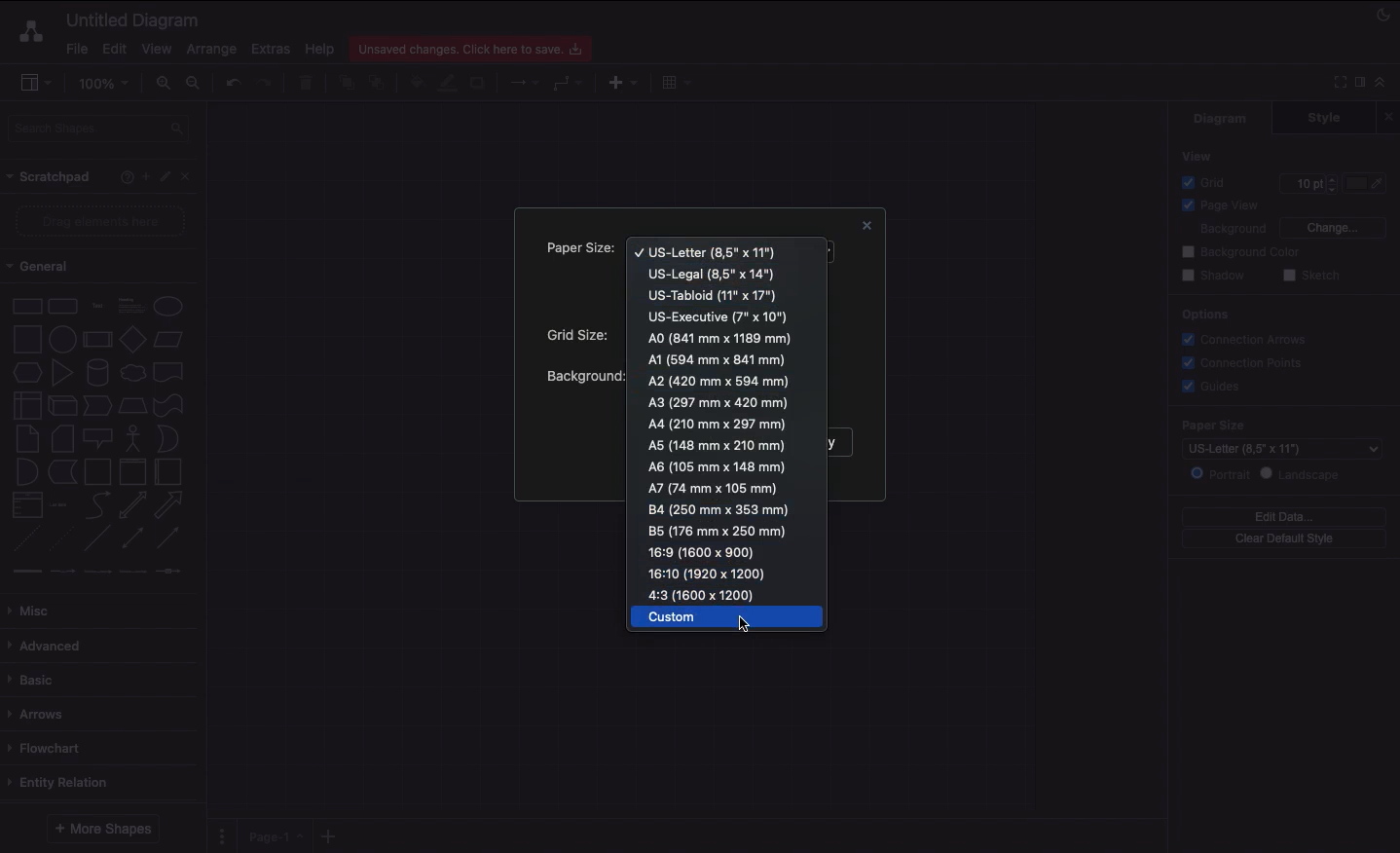 This screenshot has height=853, width=1400. I want to click on Square, so click(25, 339).